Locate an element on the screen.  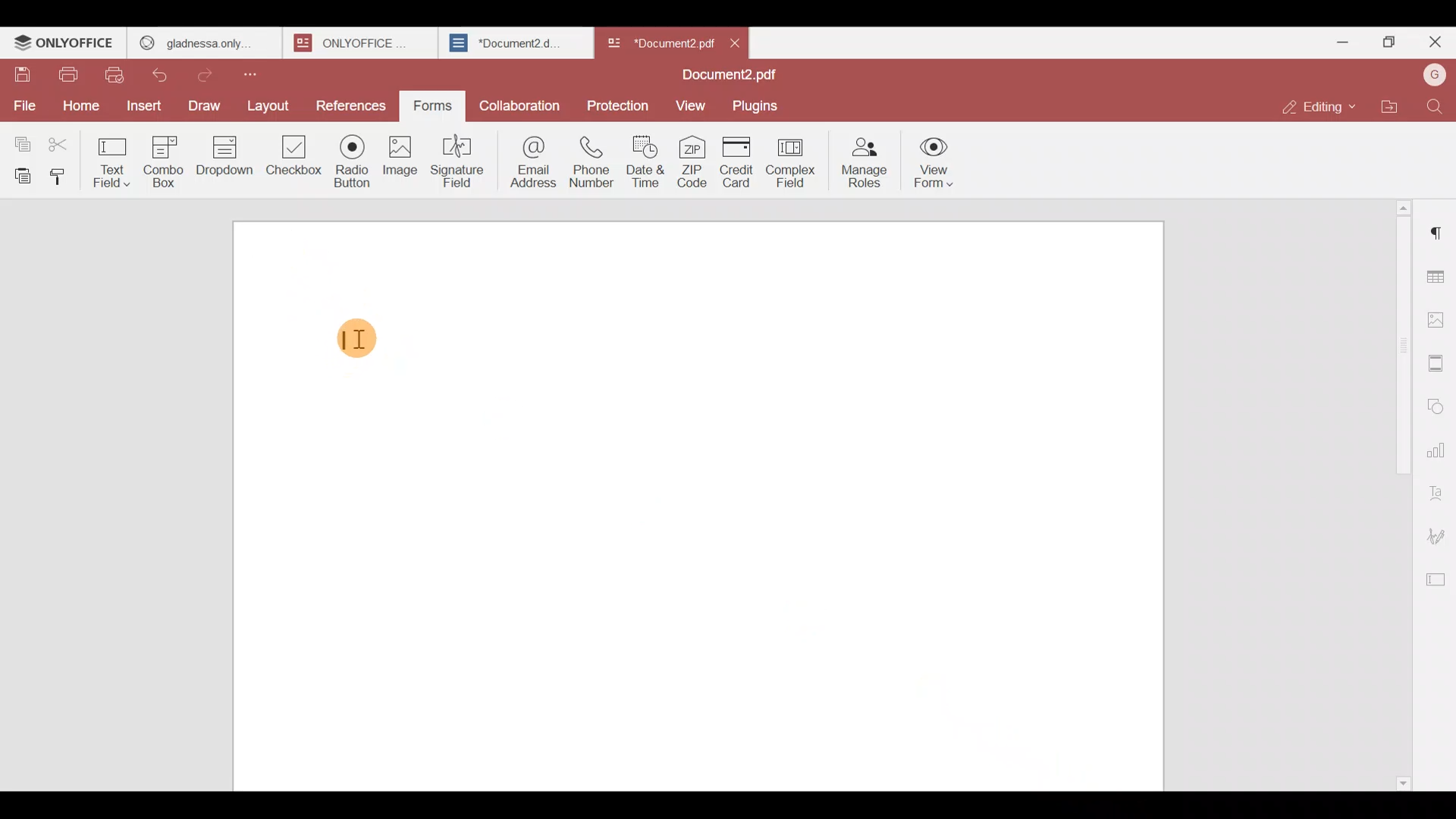
Text Art settings is located at coordinates (1439, 491).